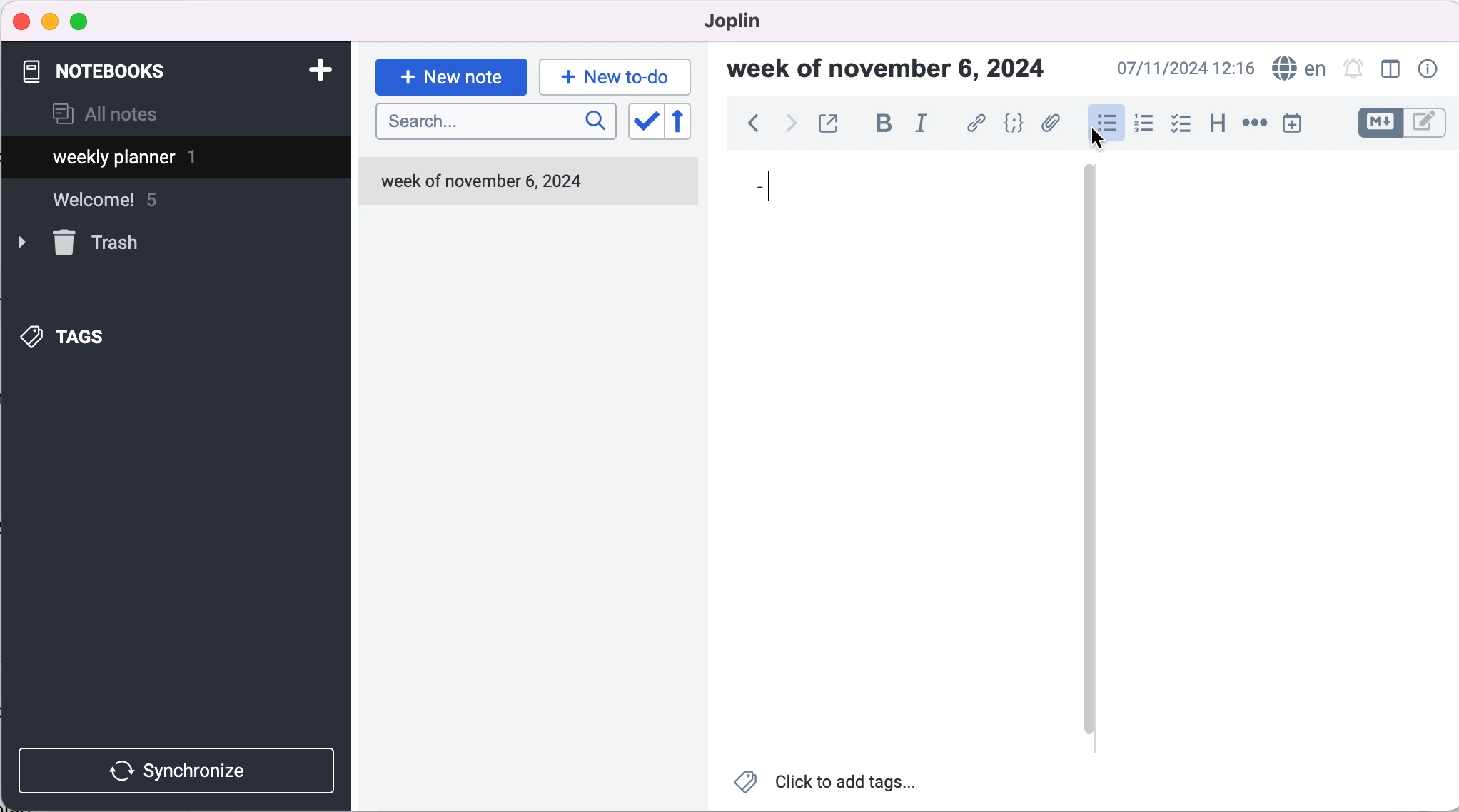 Image resolution: width=1459 pixels, height=812 pixels. Describe the element at coordinates (752, 127) in the screenshot. I see `back` at that location.